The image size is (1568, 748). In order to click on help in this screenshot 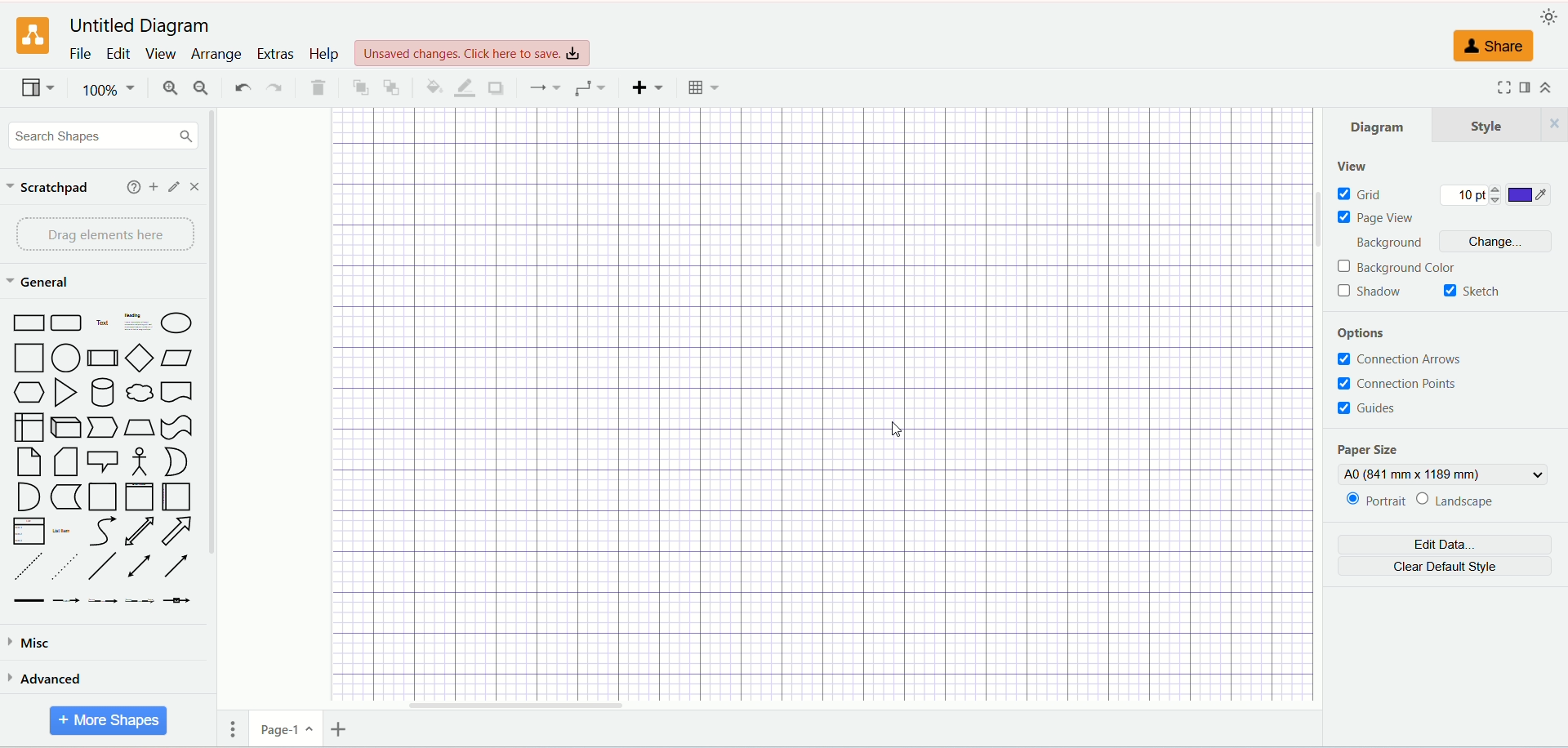, I will do `click(129, 187)`.